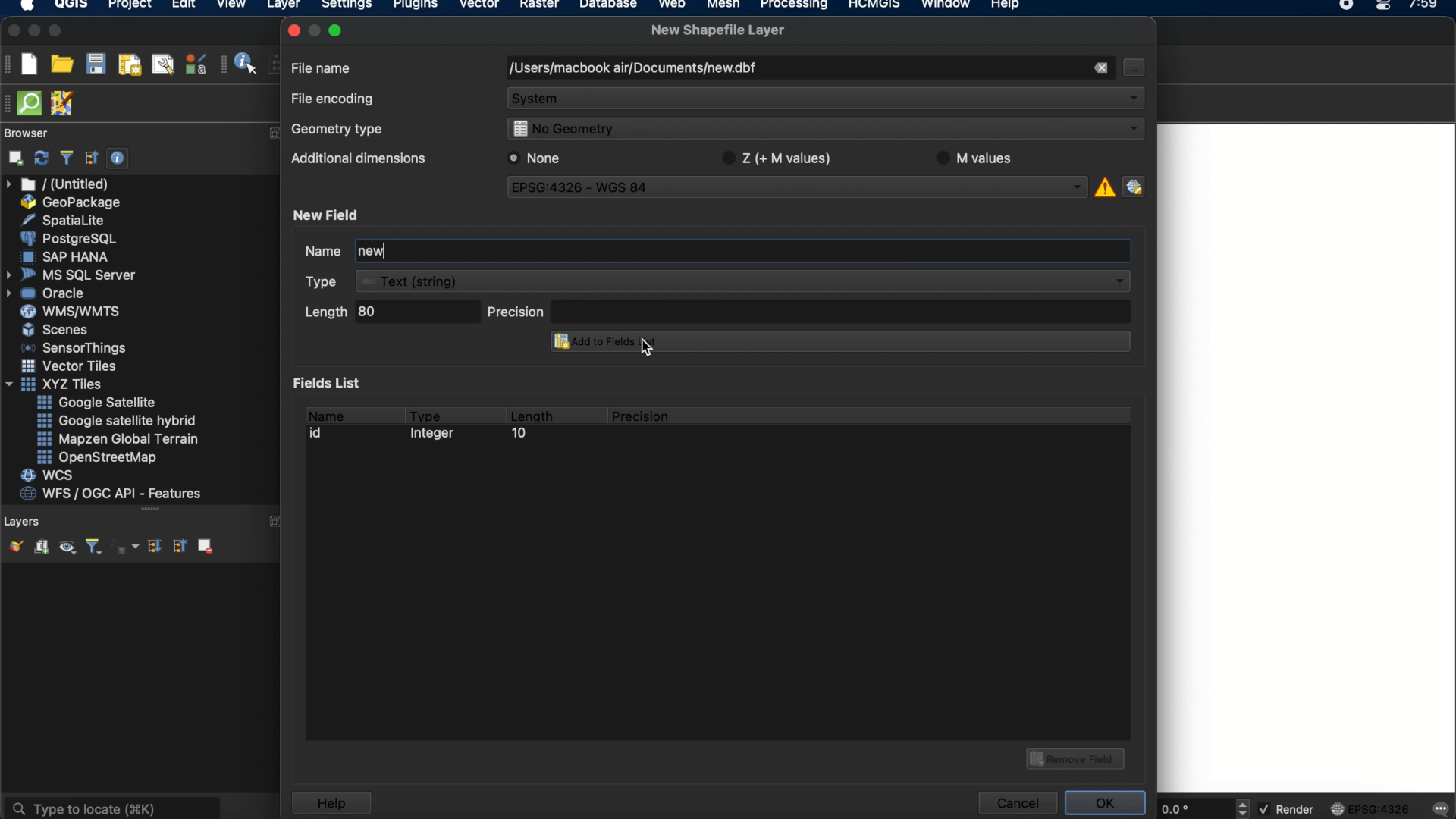 This screenshot has height=819, width=1456. What do you see at coordinates (649, 350) in the screenshot?
I see `cursor` at bounding box center [649, 350].